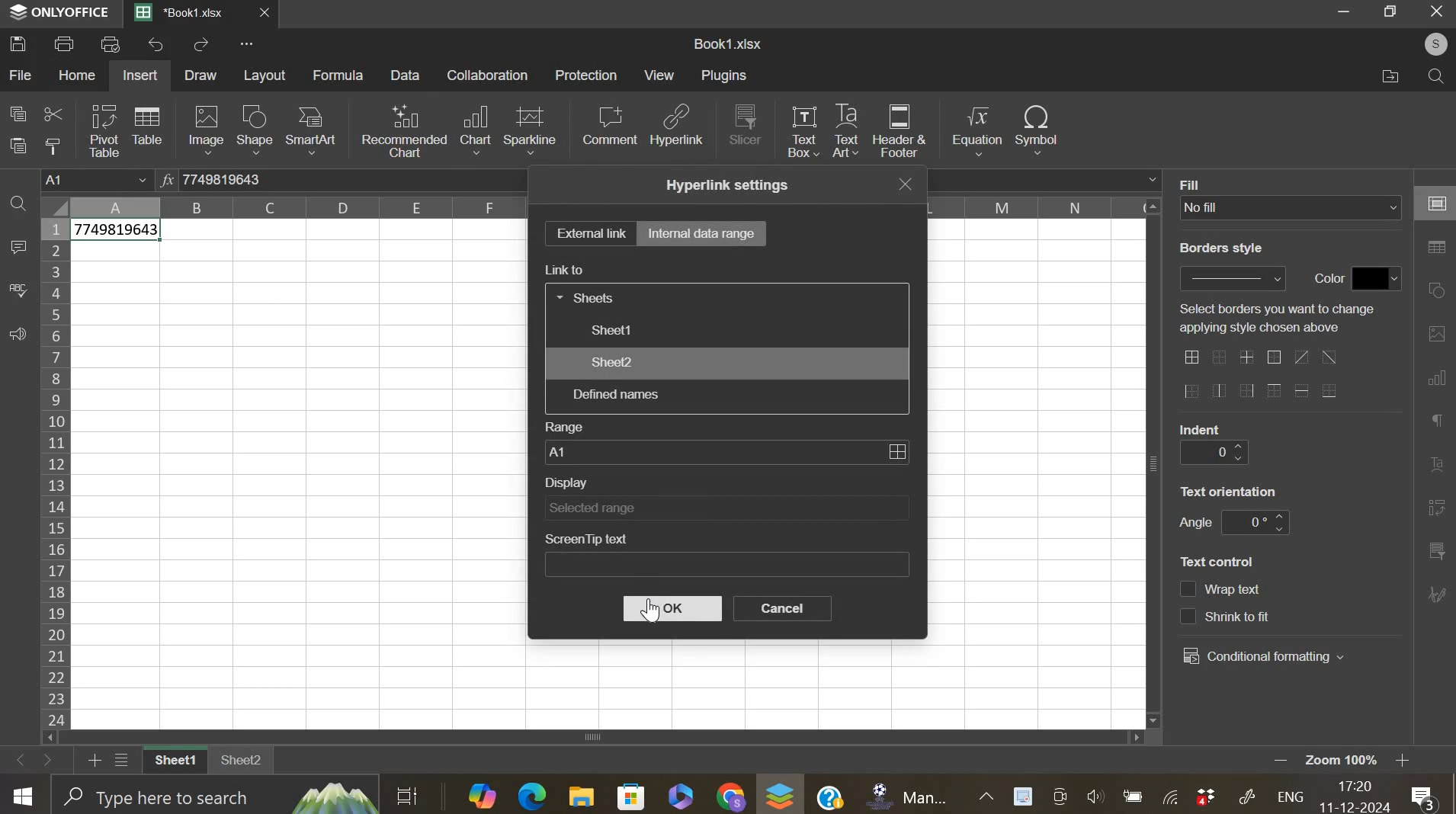  Describe the element at coordinates (65, 43) in the screenshot. I see `print` at that location.